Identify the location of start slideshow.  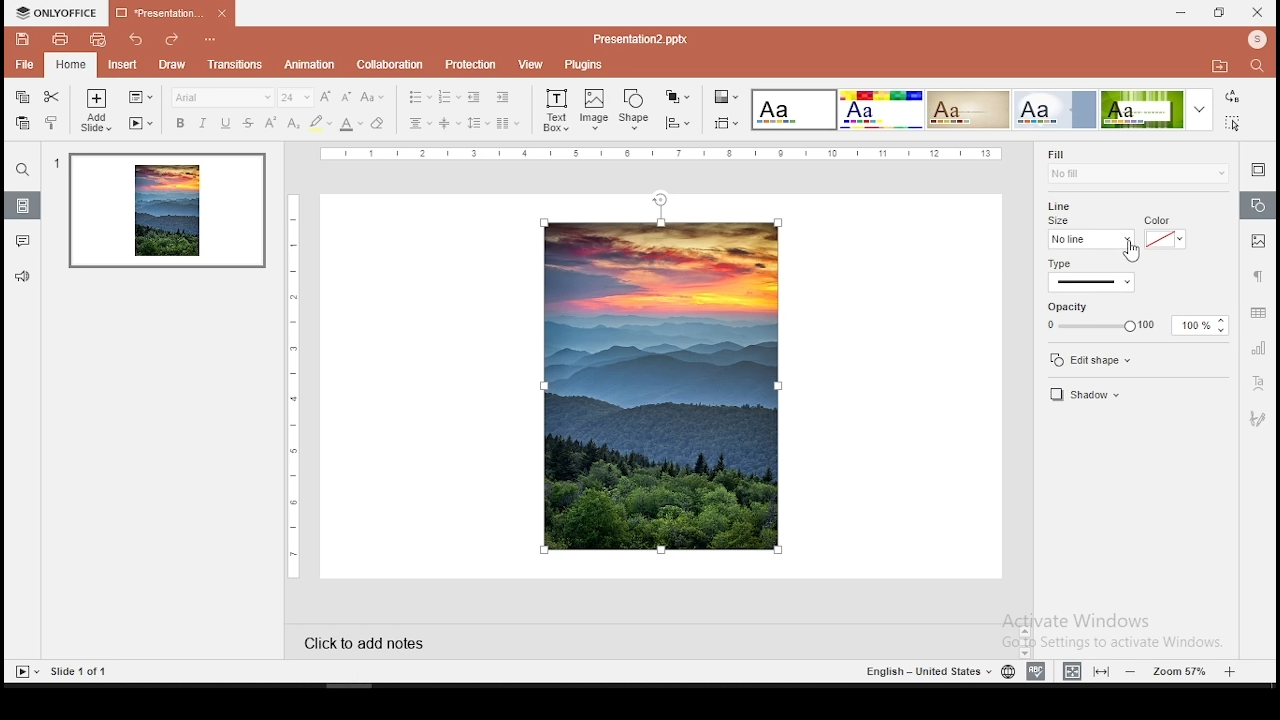
(26, 673).